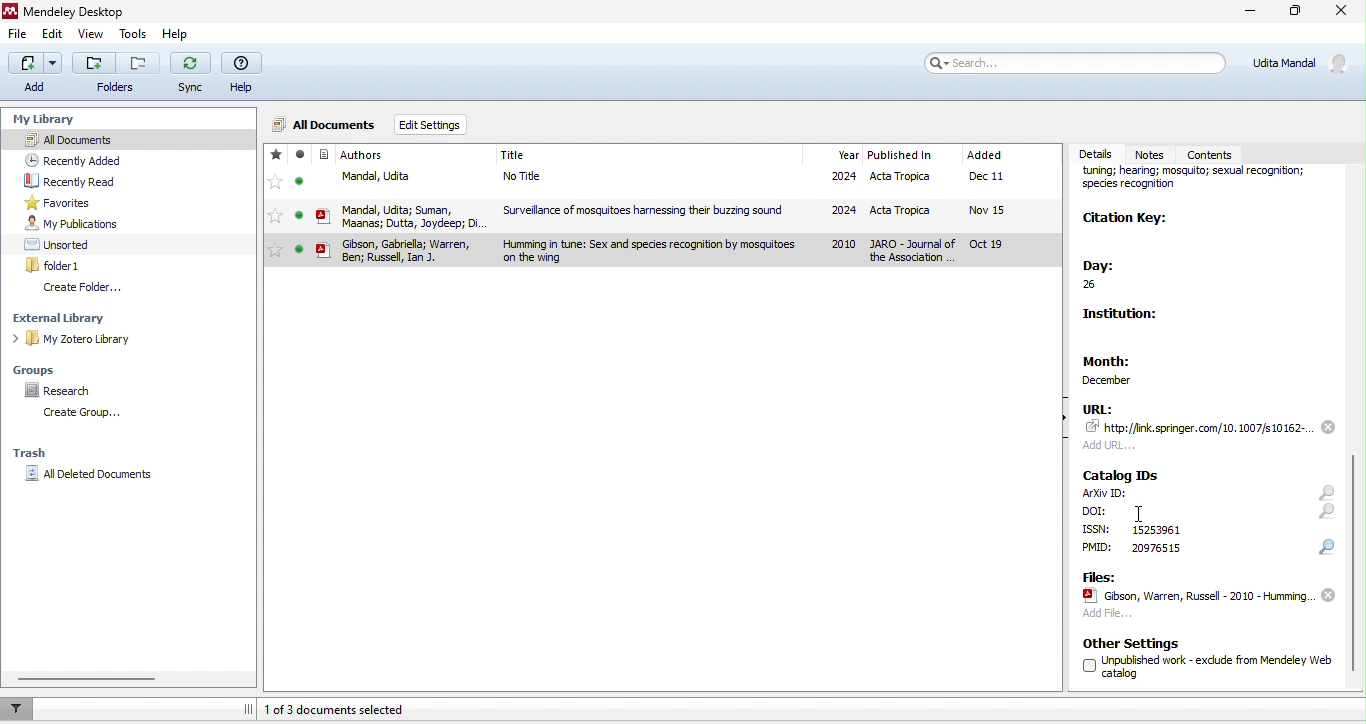 This screenshot has height=724, width=1366. Describe the element at coordinates (1340, 14) in the screenshot. I see `close` at that location.